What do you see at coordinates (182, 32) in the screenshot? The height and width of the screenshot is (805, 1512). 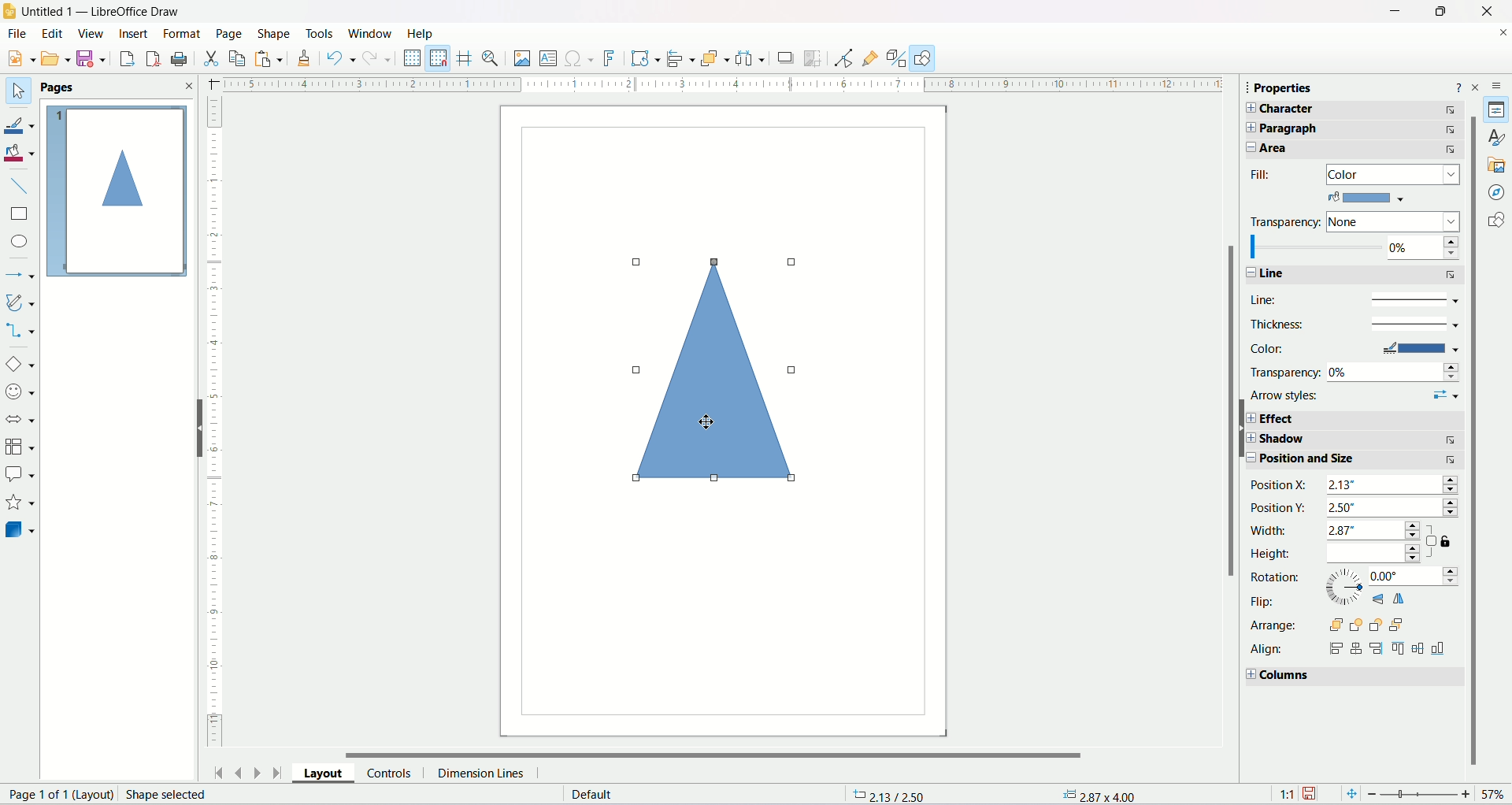 I see `Format` at bounding box center [182, 32].